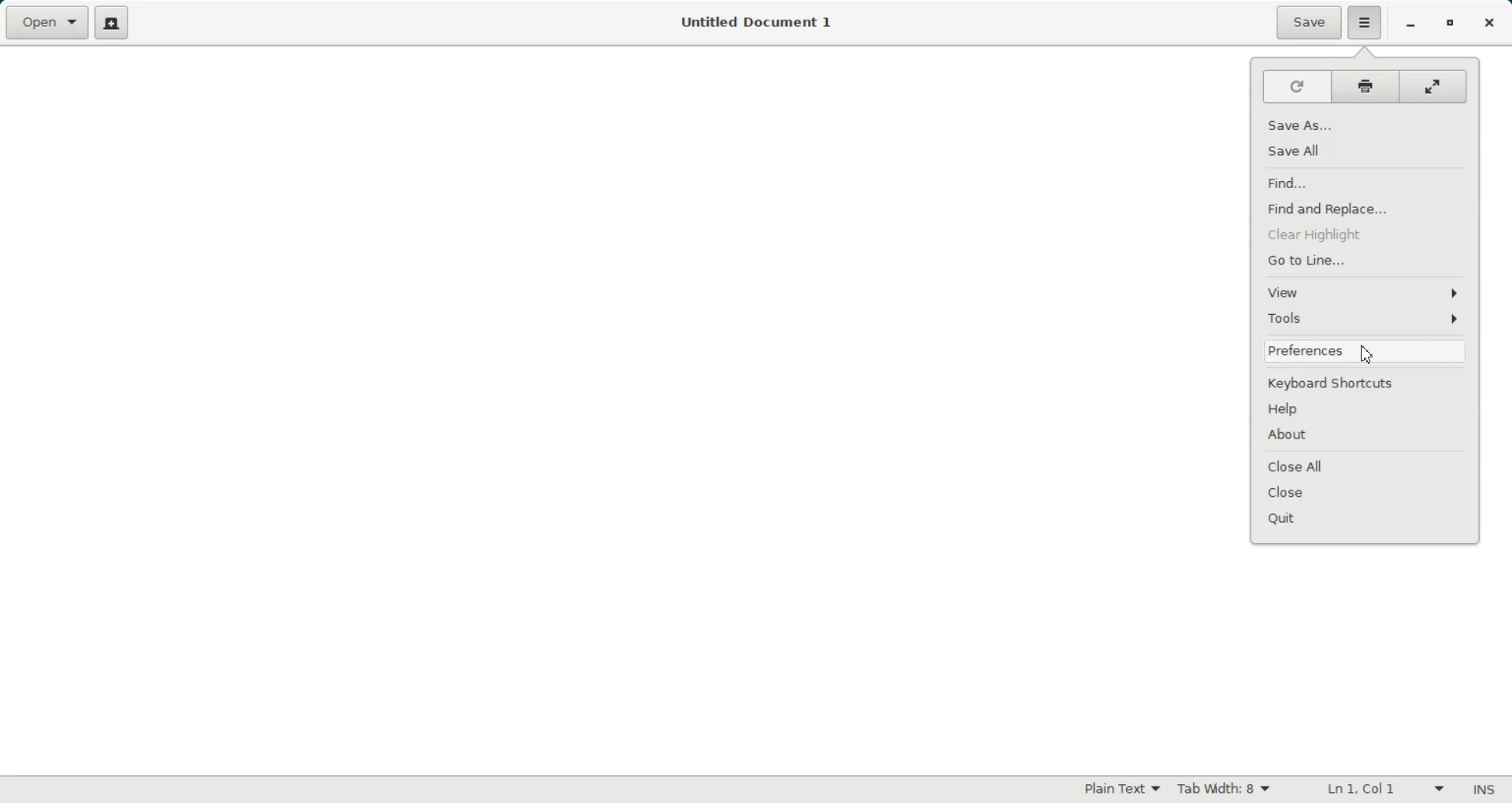 The height and width of the screenshot is (803, 1512). What do you see at coordinates (1366, 208) in the screenshot?
I see `Find and Replace` at bounding box center [1366, 208].